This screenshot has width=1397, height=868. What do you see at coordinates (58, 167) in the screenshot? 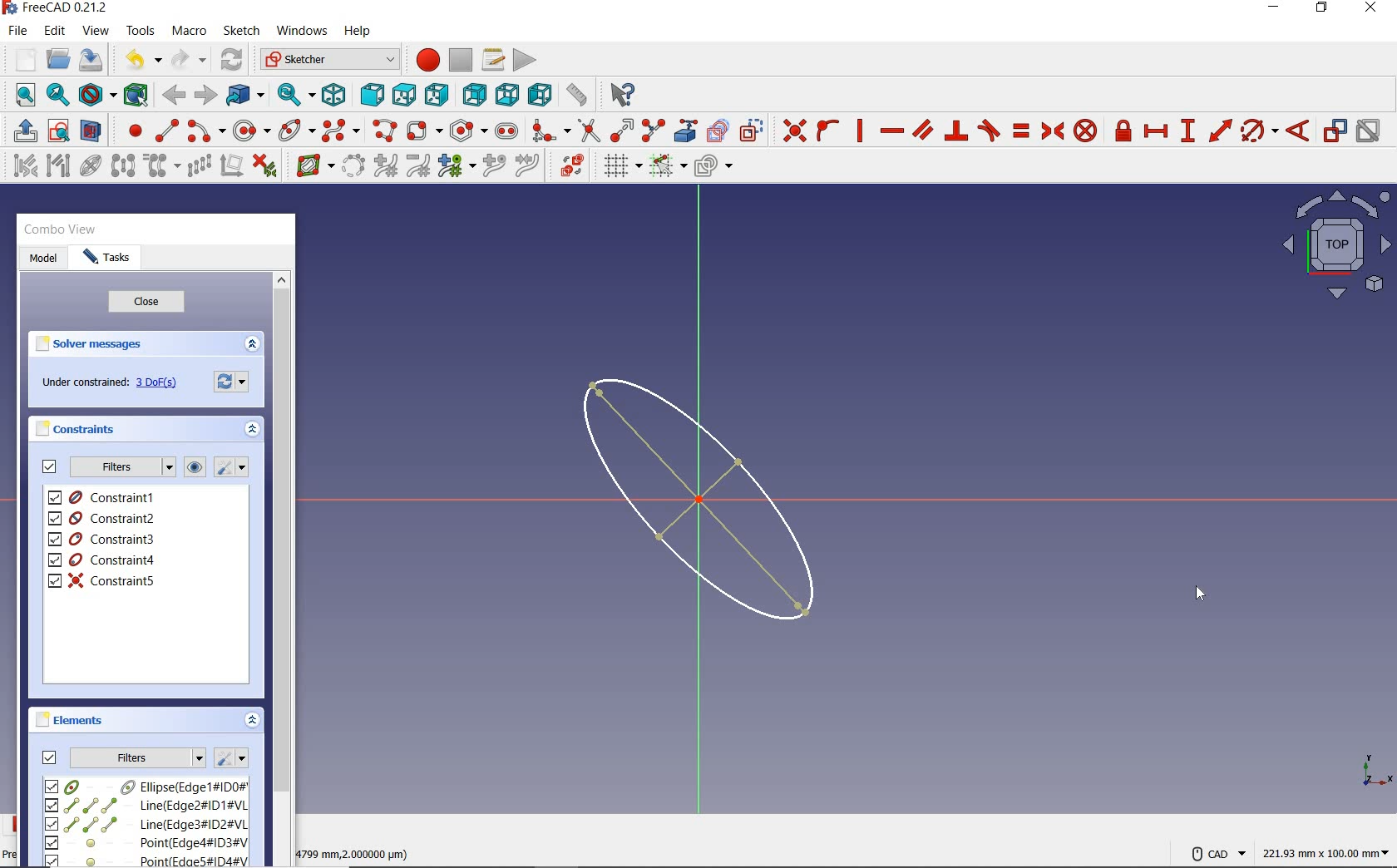
I see `select associated geometry` at bounding box center [58, 167].